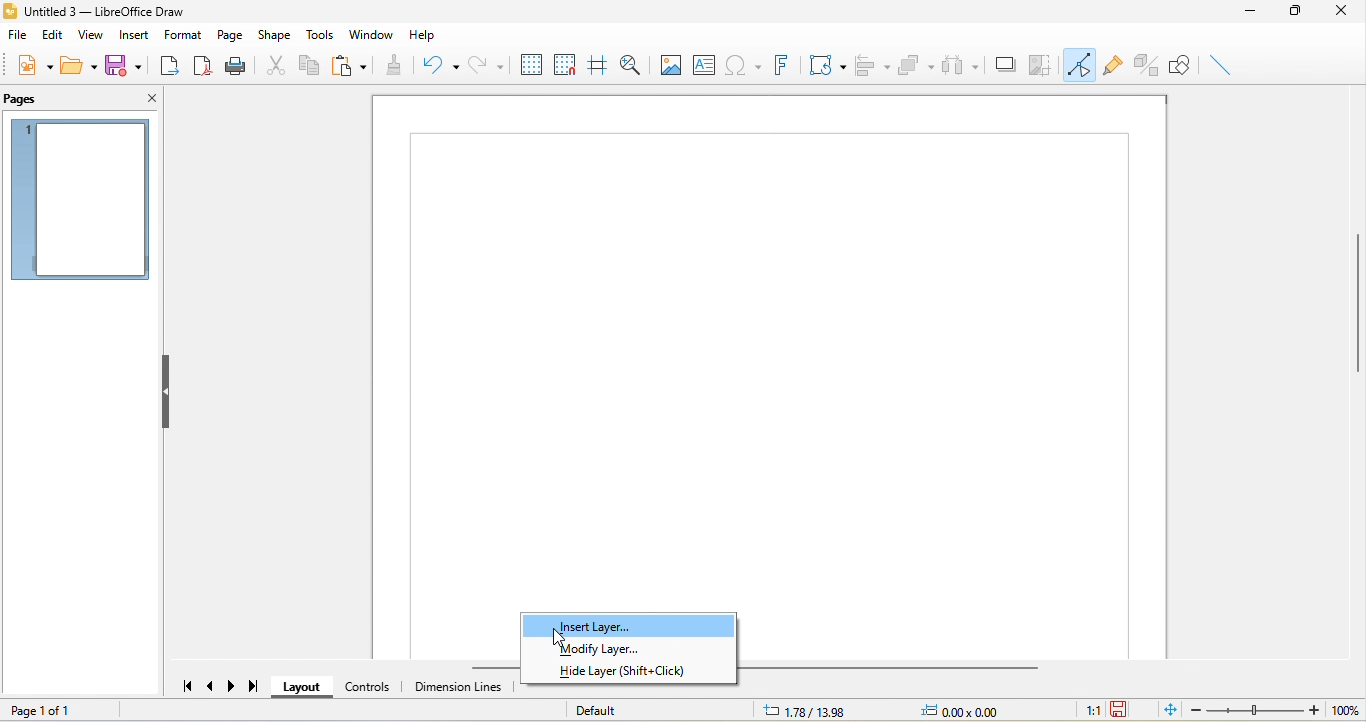 This screenshot has height=722, width=1366. I want to click on helpline while moving, so click(596, 65).